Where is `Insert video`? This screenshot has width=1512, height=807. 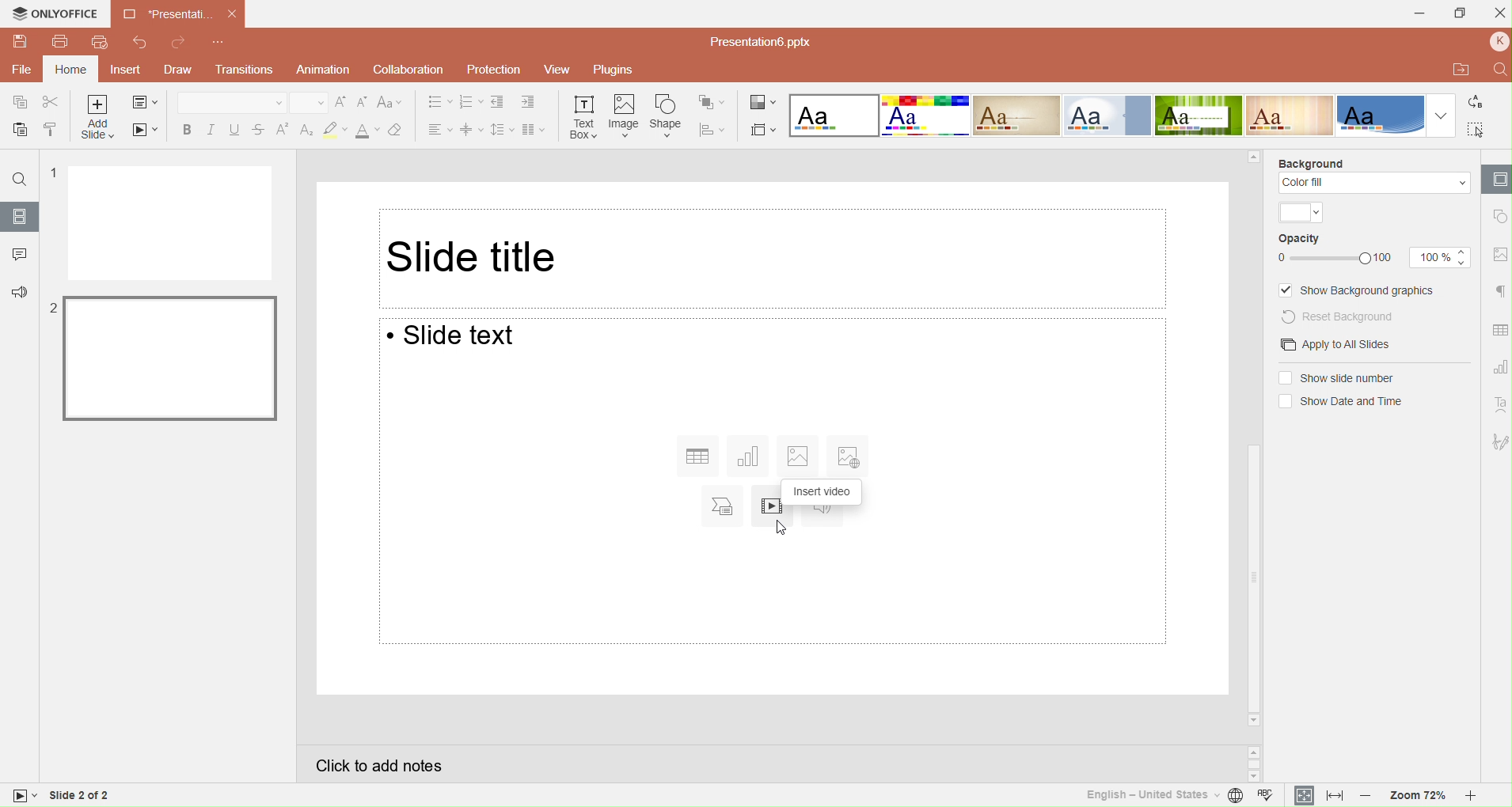 Insert video is located at coordinates (769, 510).